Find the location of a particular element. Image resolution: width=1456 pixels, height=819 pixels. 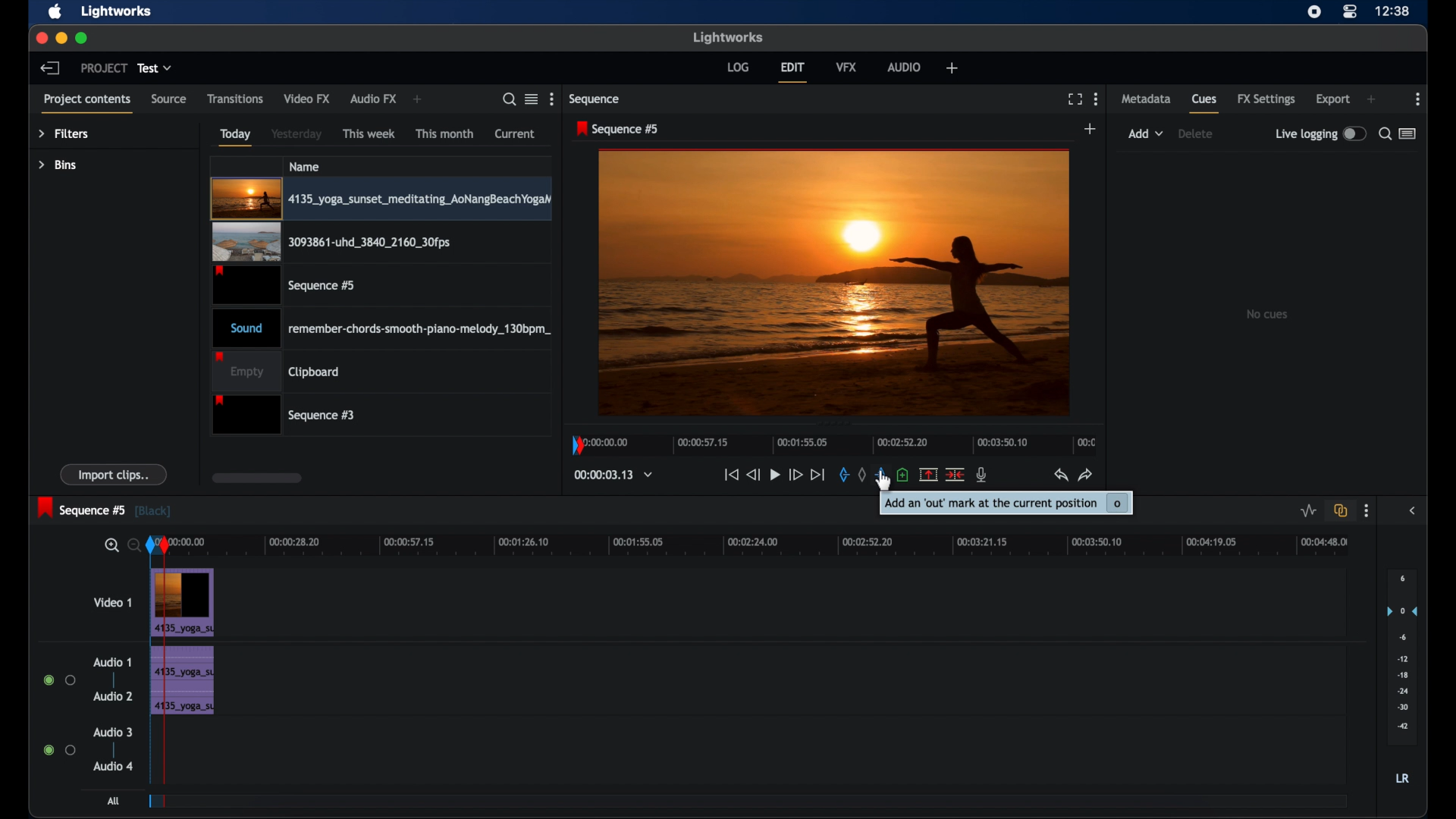

fx settings is located at coordinates (1266, 99).